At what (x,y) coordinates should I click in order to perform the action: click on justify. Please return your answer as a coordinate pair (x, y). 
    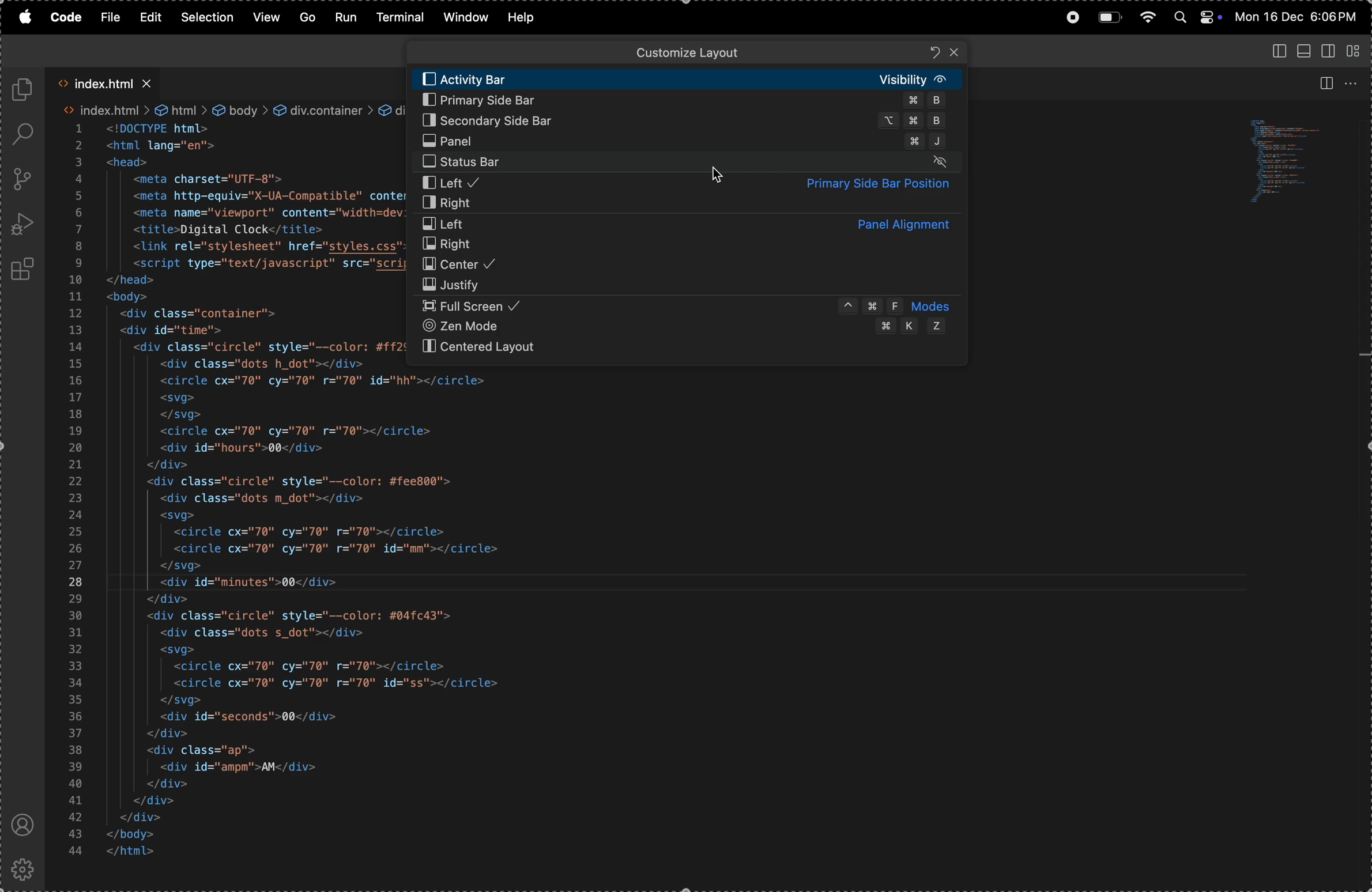
    Looking at the image, I should click on (674, 284).